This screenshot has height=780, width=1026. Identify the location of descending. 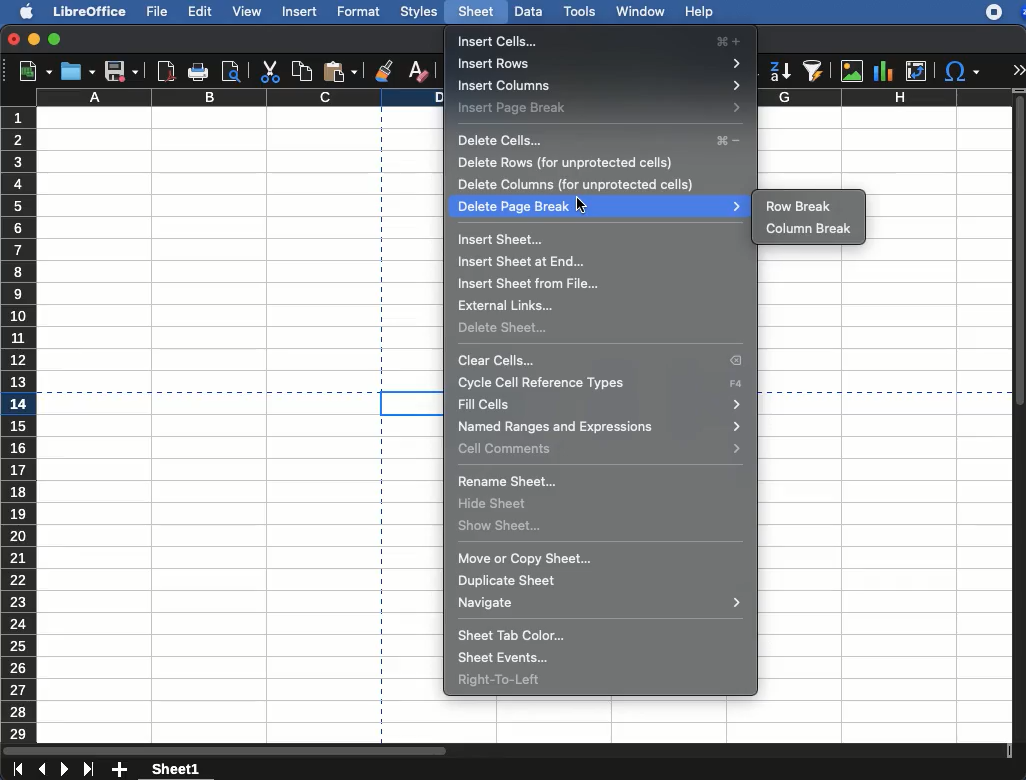
(780, 73).